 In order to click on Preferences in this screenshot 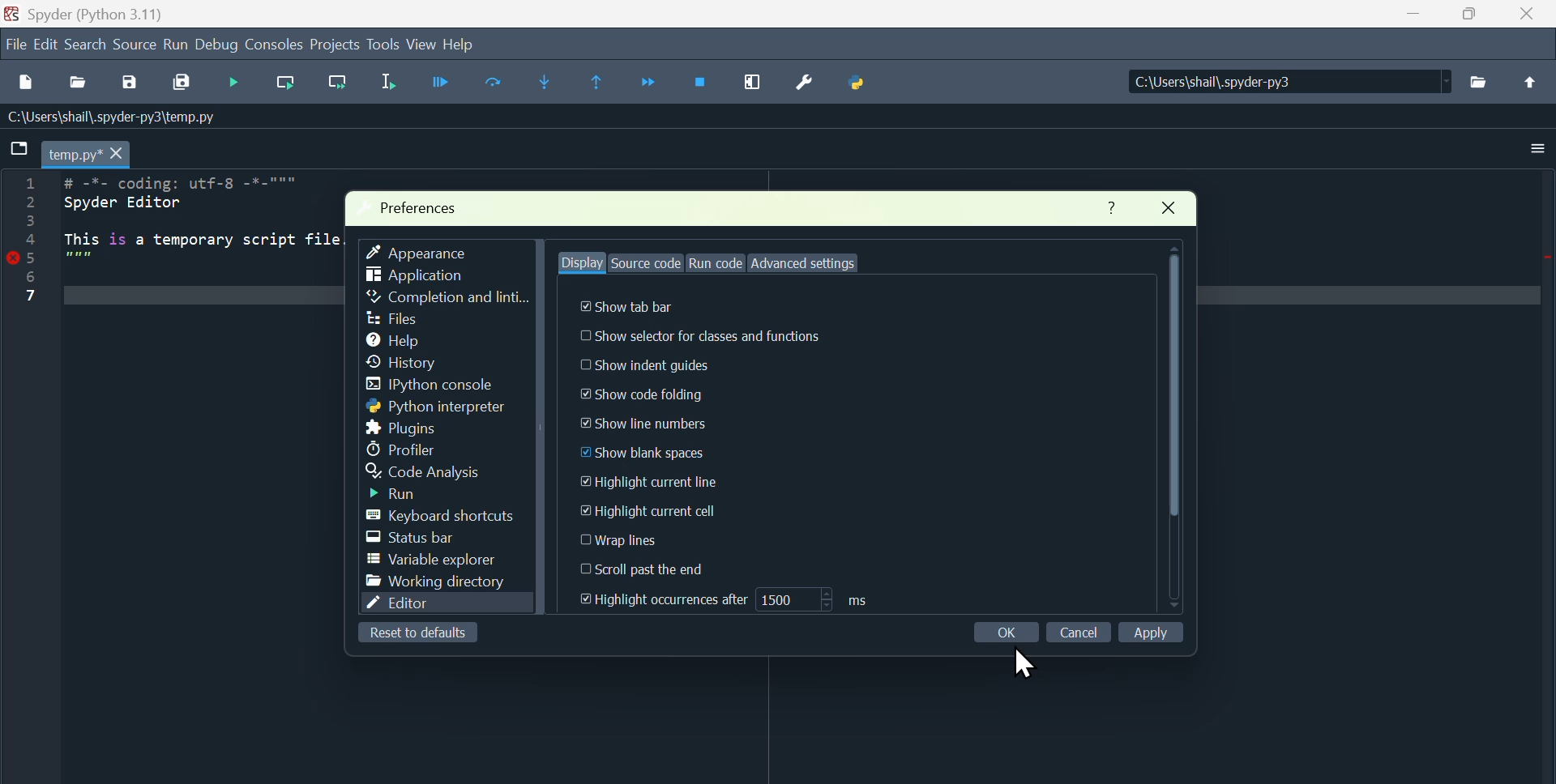, I will do `click(417, 211)`.